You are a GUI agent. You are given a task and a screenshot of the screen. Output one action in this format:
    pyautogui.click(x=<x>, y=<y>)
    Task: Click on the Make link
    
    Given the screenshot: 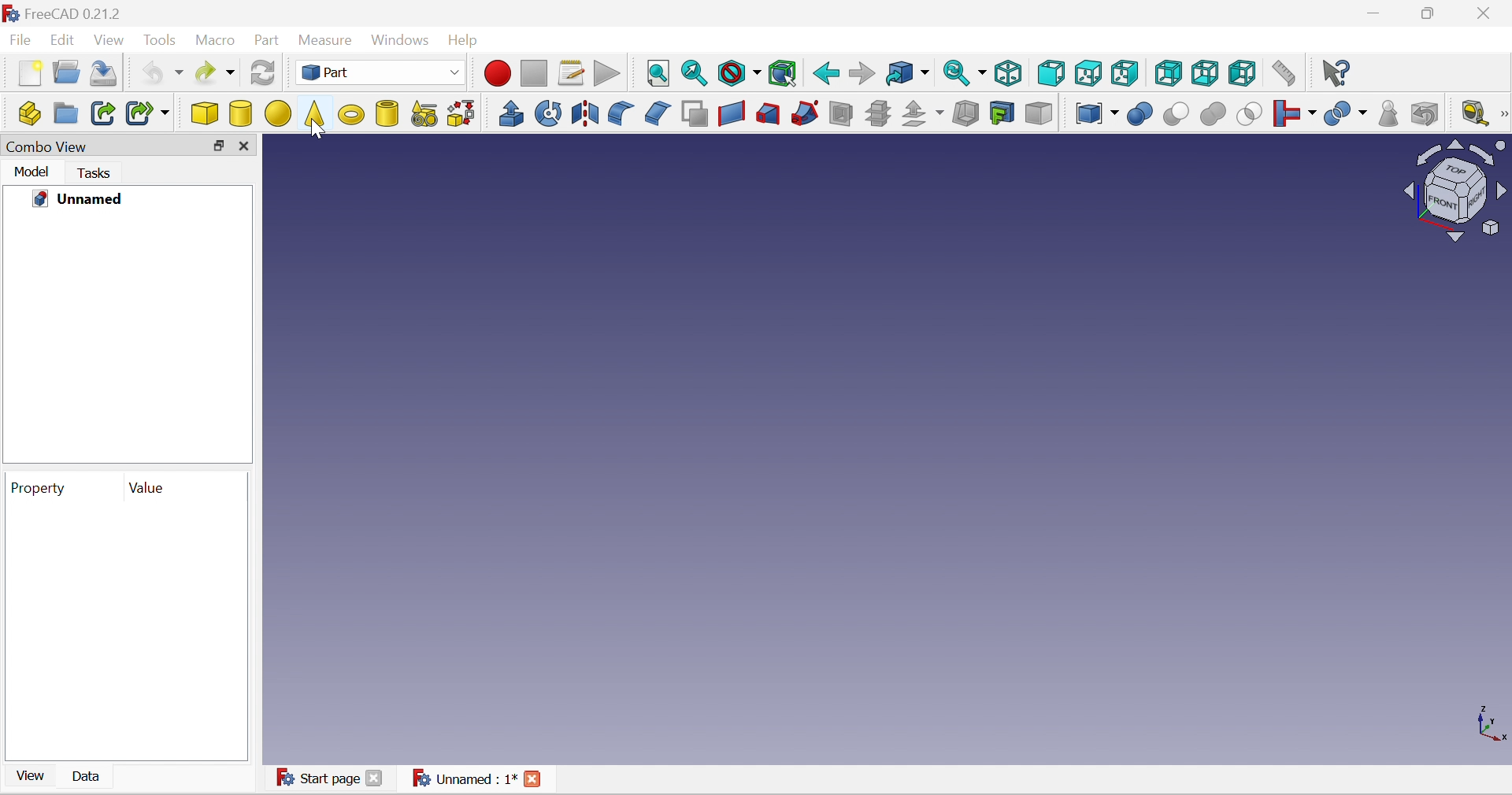 What is the action you would take?
    pyautogui.click(x=102, y=115)
    